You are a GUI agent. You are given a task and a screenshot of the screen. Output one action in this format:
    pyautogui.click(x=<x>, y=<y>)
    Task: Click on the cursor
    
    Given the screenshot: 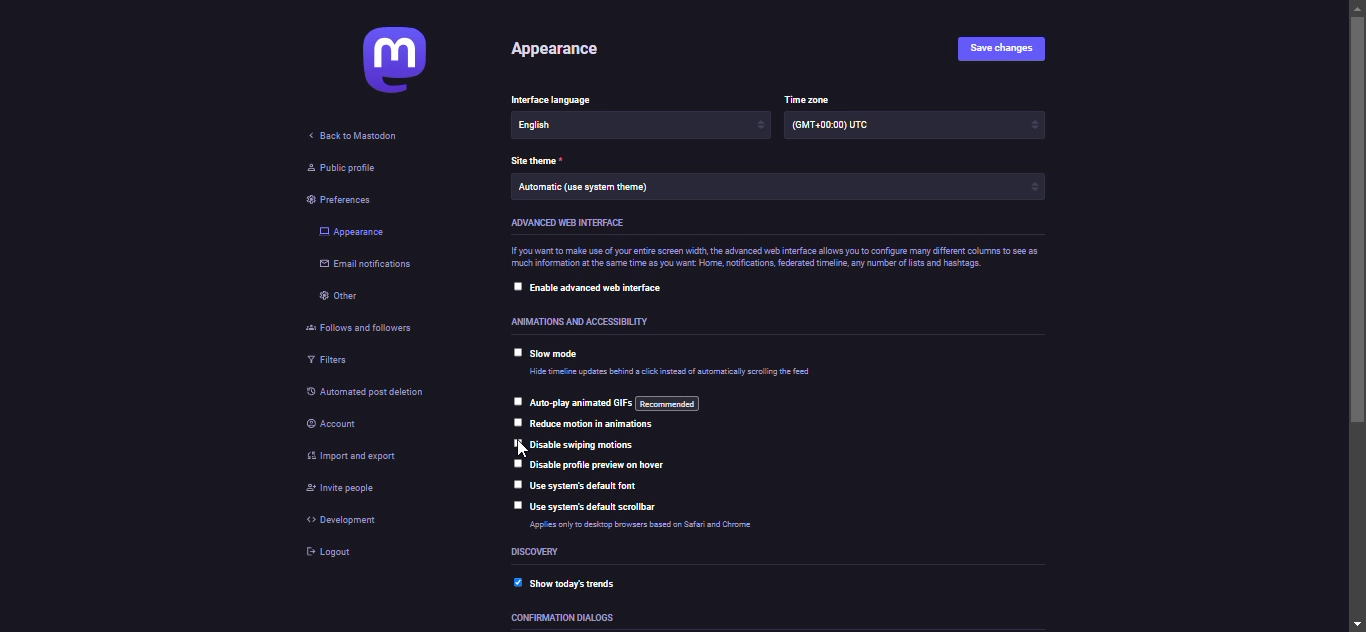 What is the action you would take?
    pyautogui.click(x=518, y=449)
    